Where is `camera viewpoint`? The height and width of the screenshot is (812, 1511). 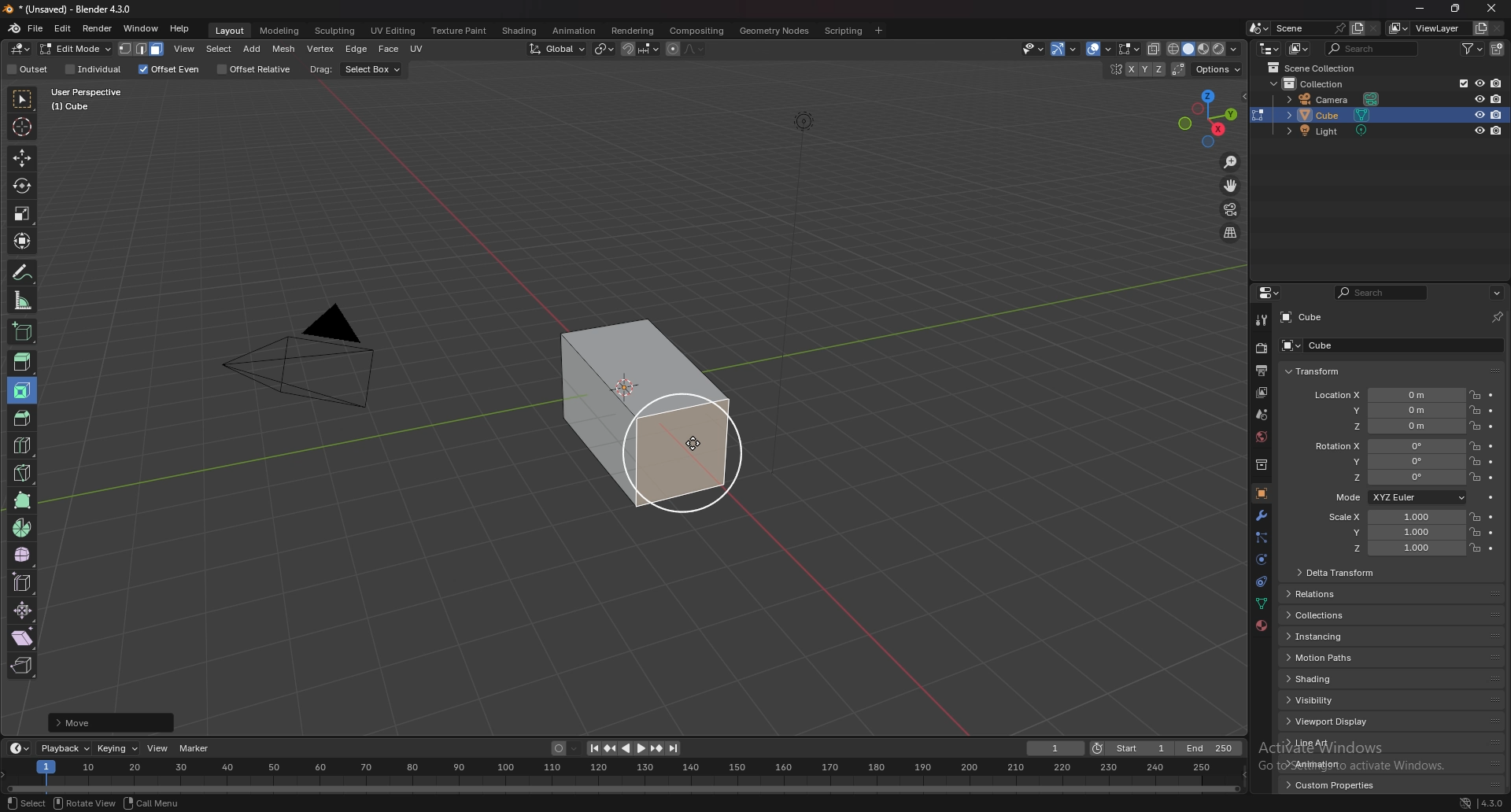
camera viewpoint is located at coordinates (1230, 210).